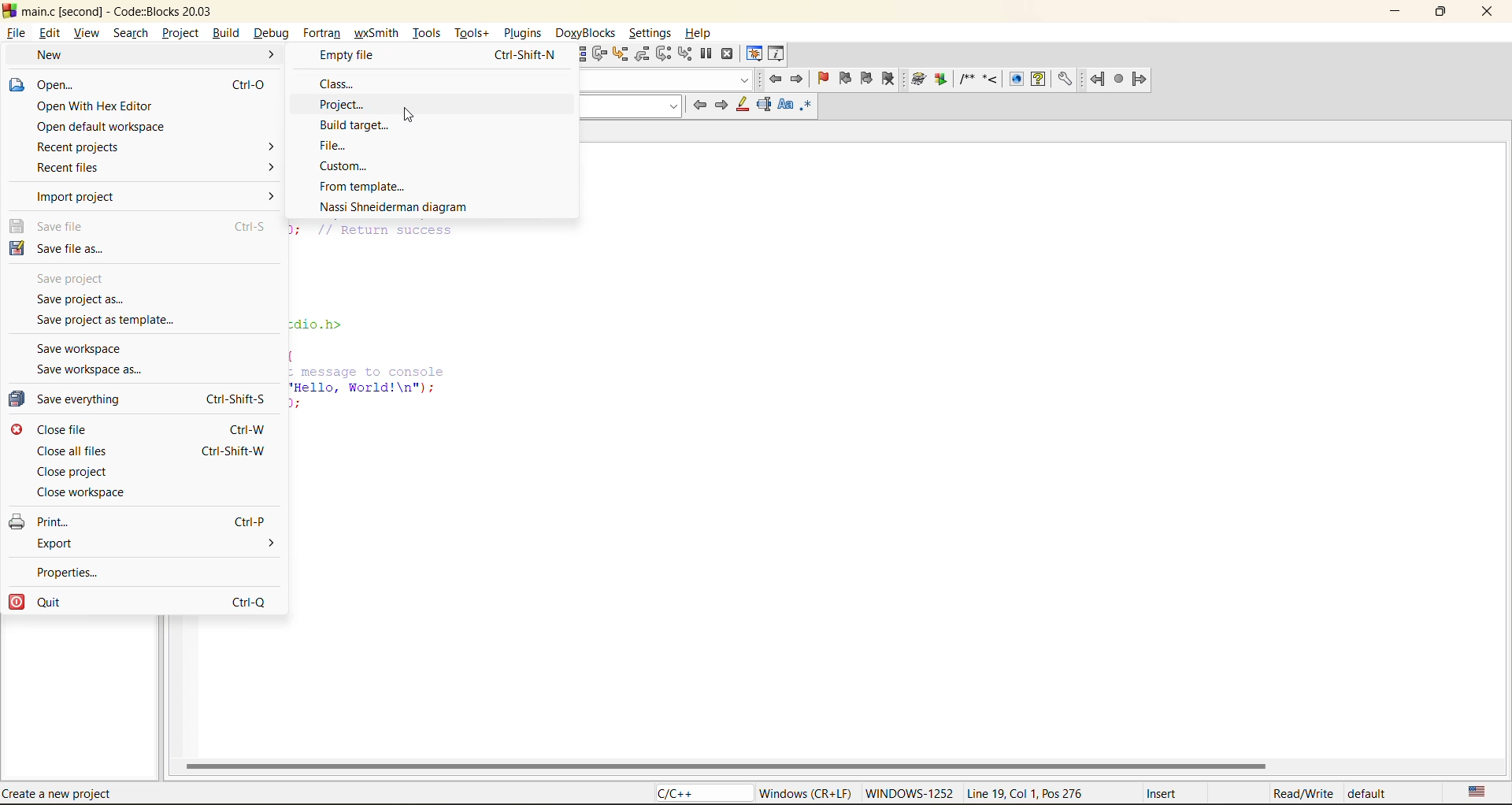 The width and height of the screenshot is (1512, 805). I want to click on next line , so click(601, 54).